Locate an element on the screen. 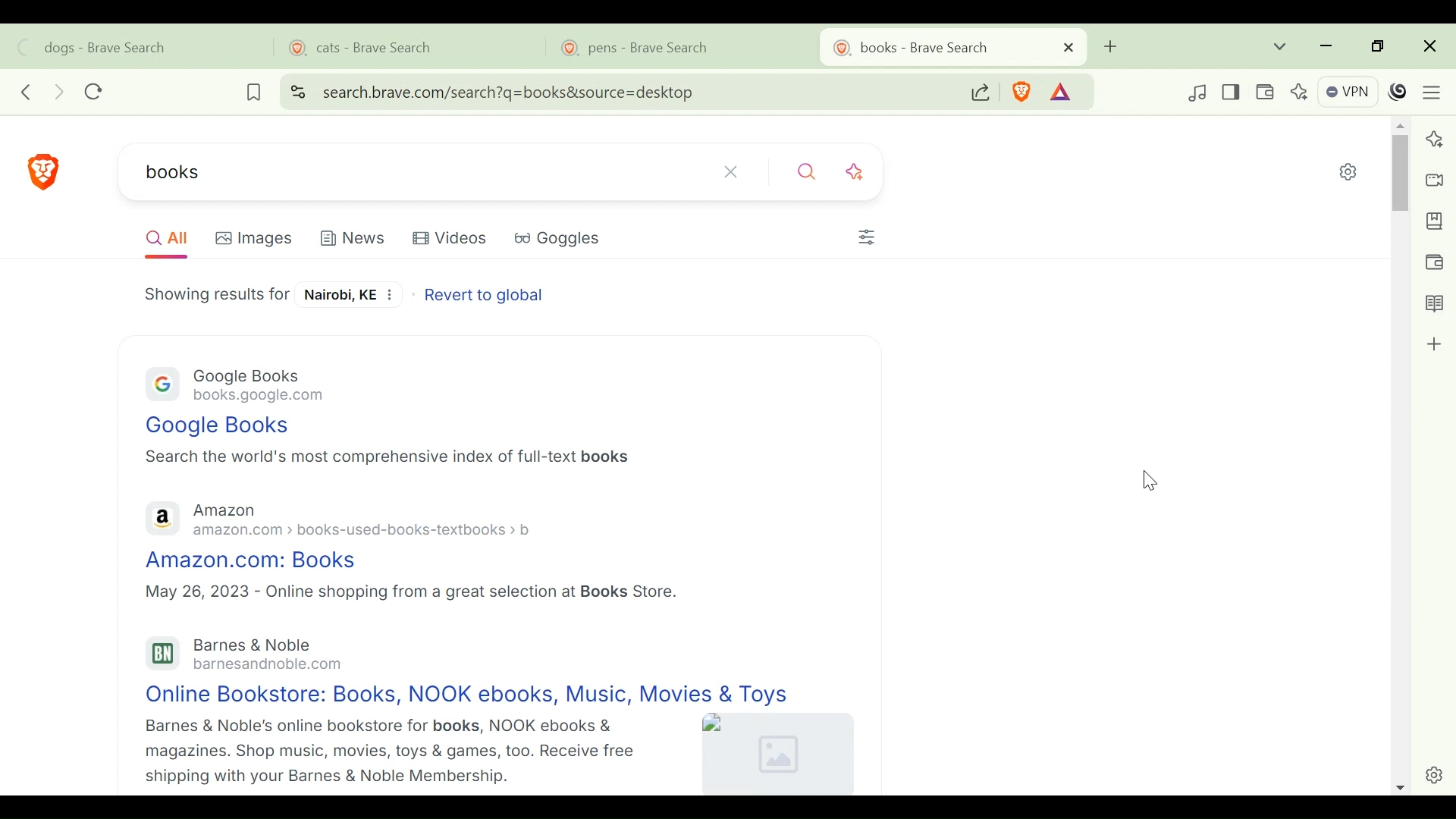 The width and height of the screenshot is (1456, 819). Amazon is located at coordinates (232, 507).